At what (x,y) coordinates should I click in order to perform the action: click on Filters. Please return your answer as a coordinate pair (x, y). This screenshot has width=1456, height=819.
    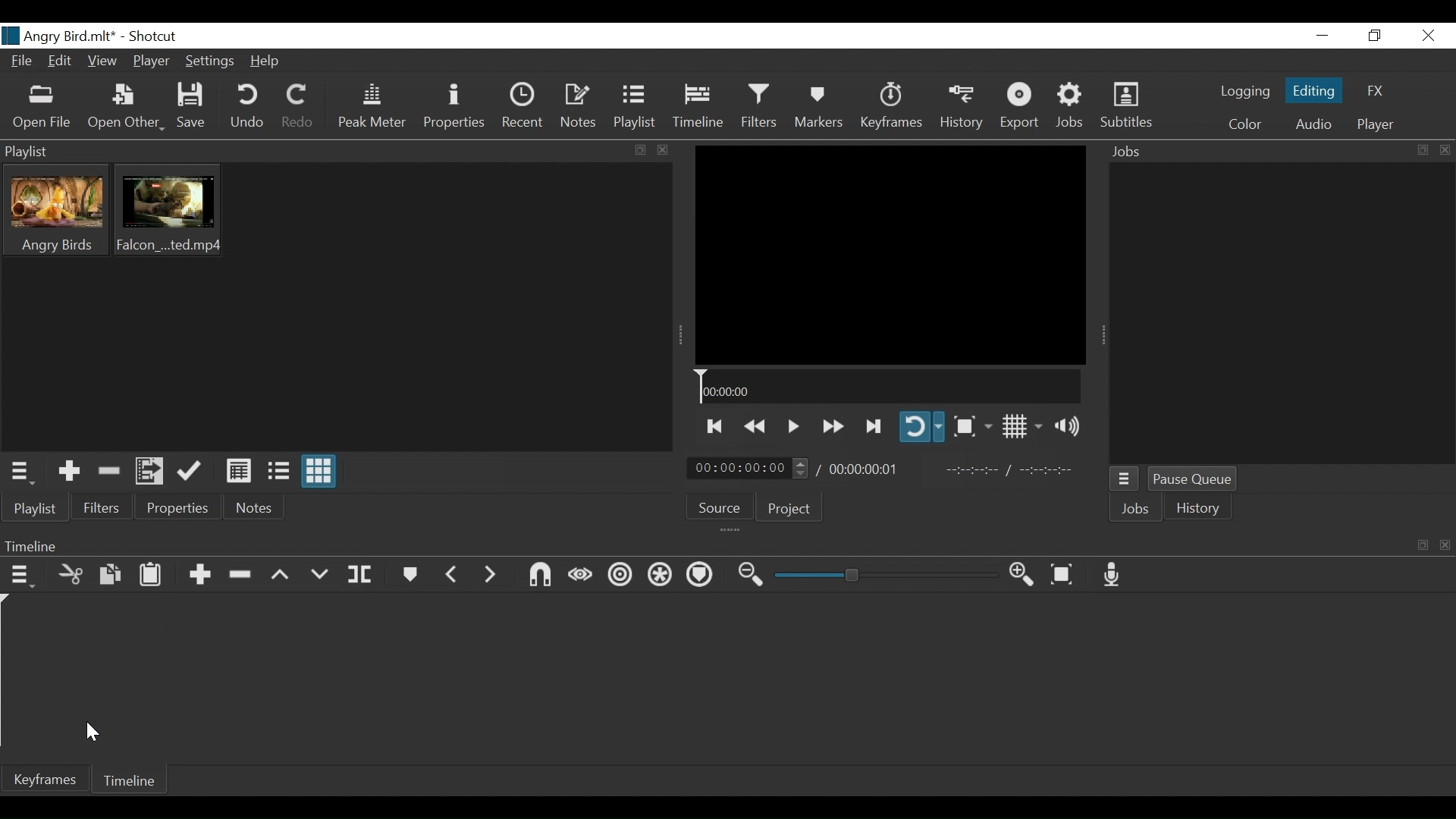
    Looking at the image, I should click on (104, 509).